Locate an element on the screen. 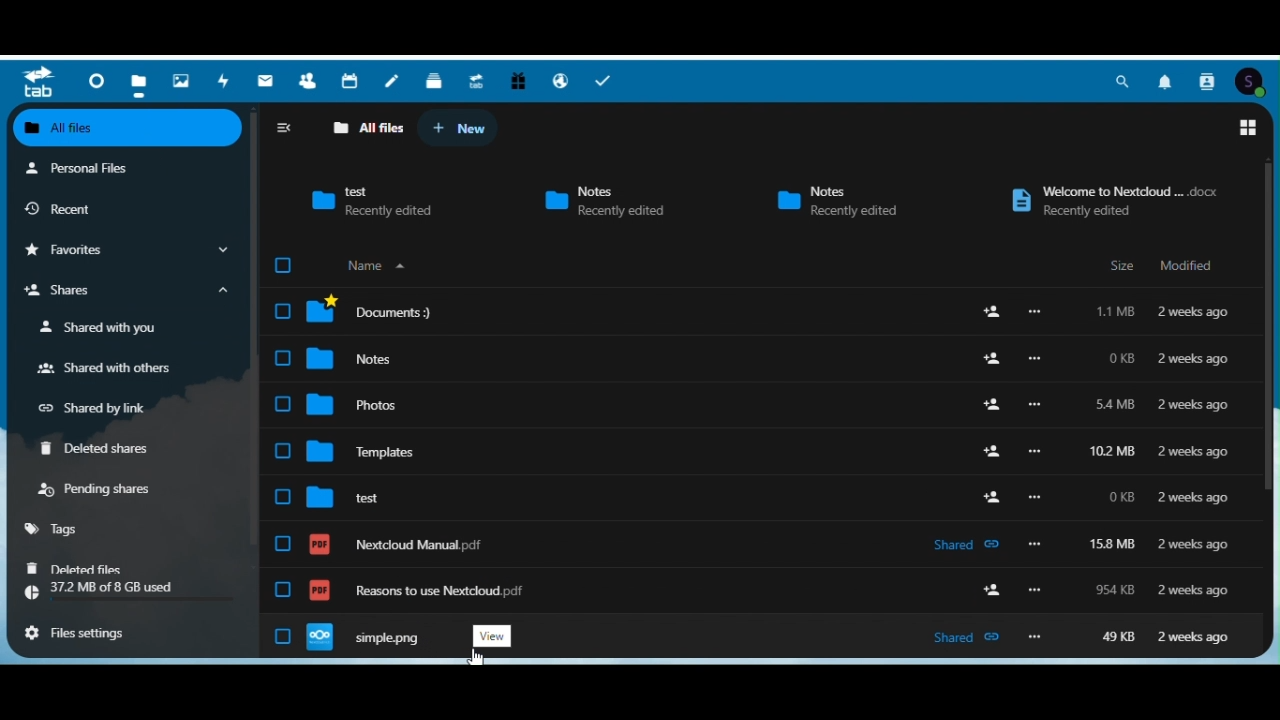 The width and height of the screenshot is (1280, 720). size is located at coordinates (1112, 452).